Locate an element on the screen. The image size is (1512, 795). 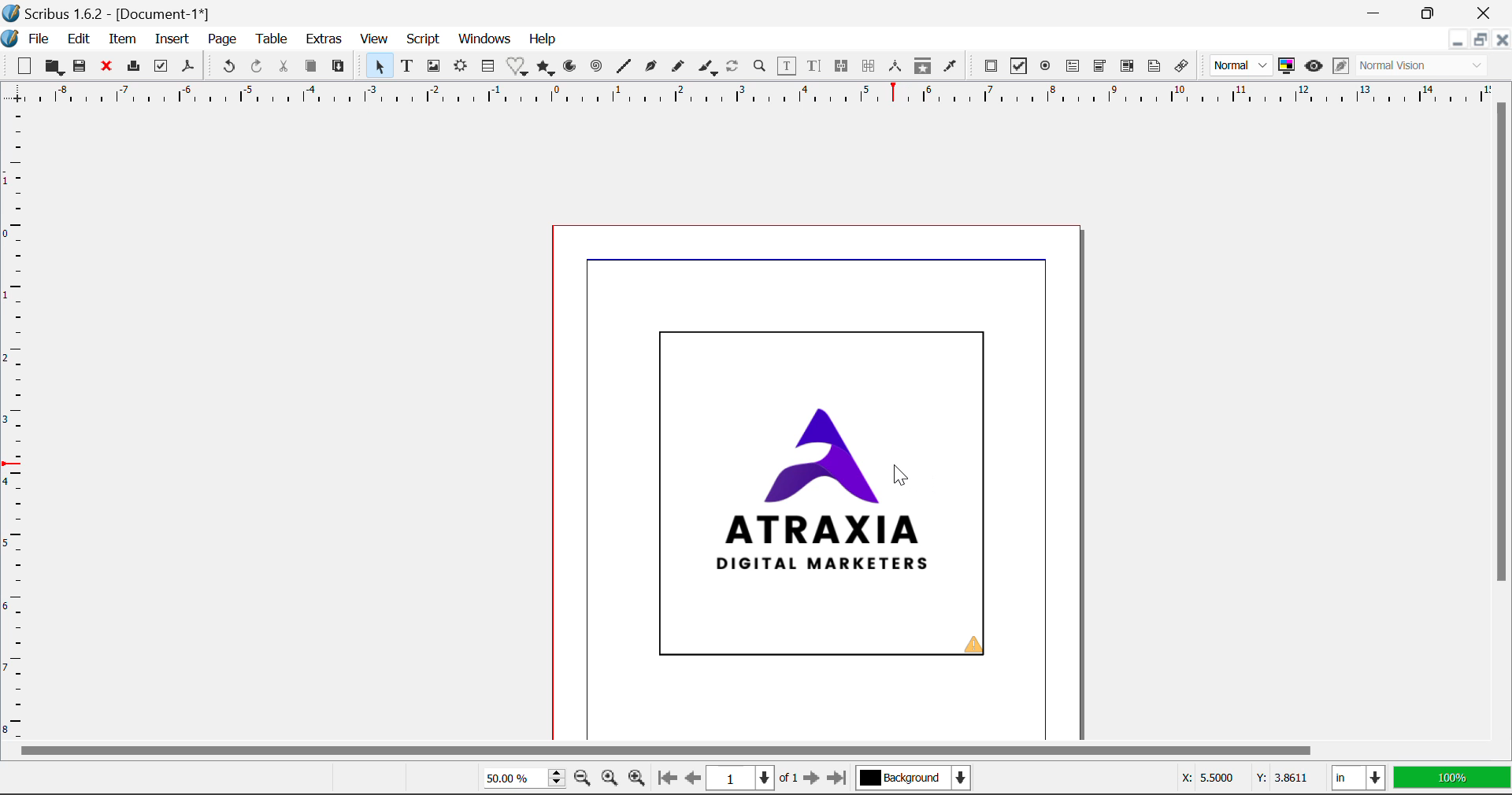
Open is located at coordinates (53, 67).